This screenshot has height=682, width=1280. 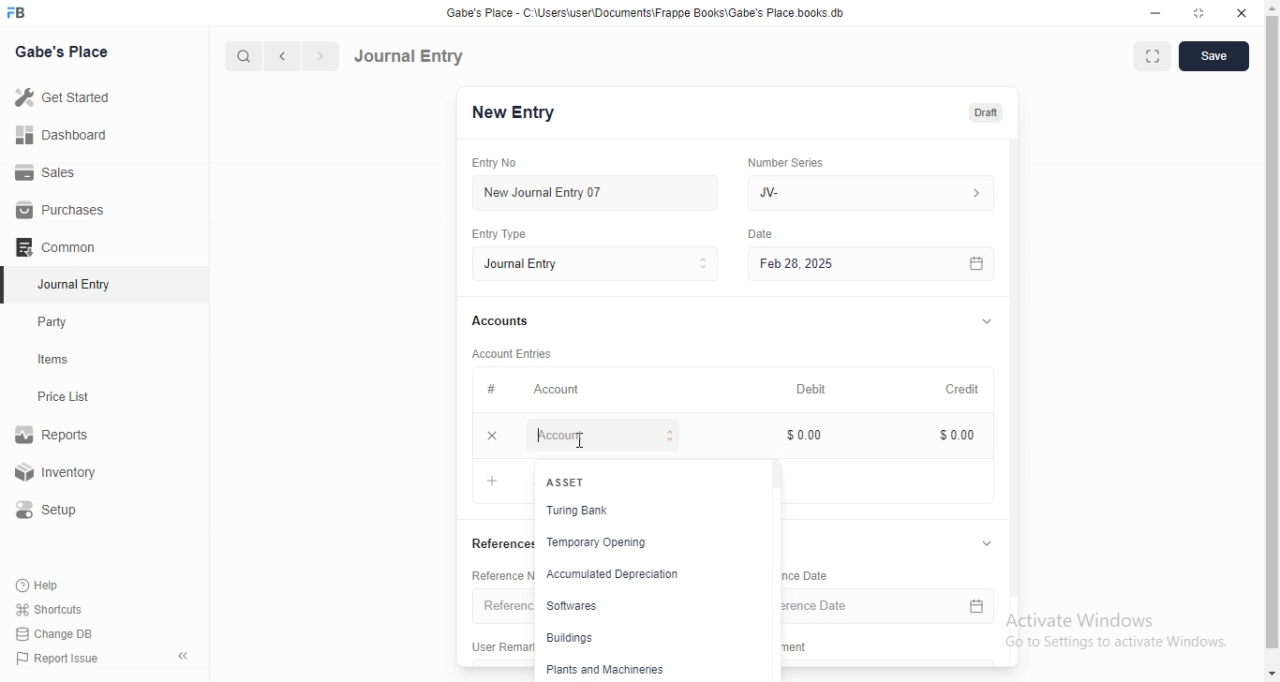 I want to click on Buildings, so click(x=571, y=637).